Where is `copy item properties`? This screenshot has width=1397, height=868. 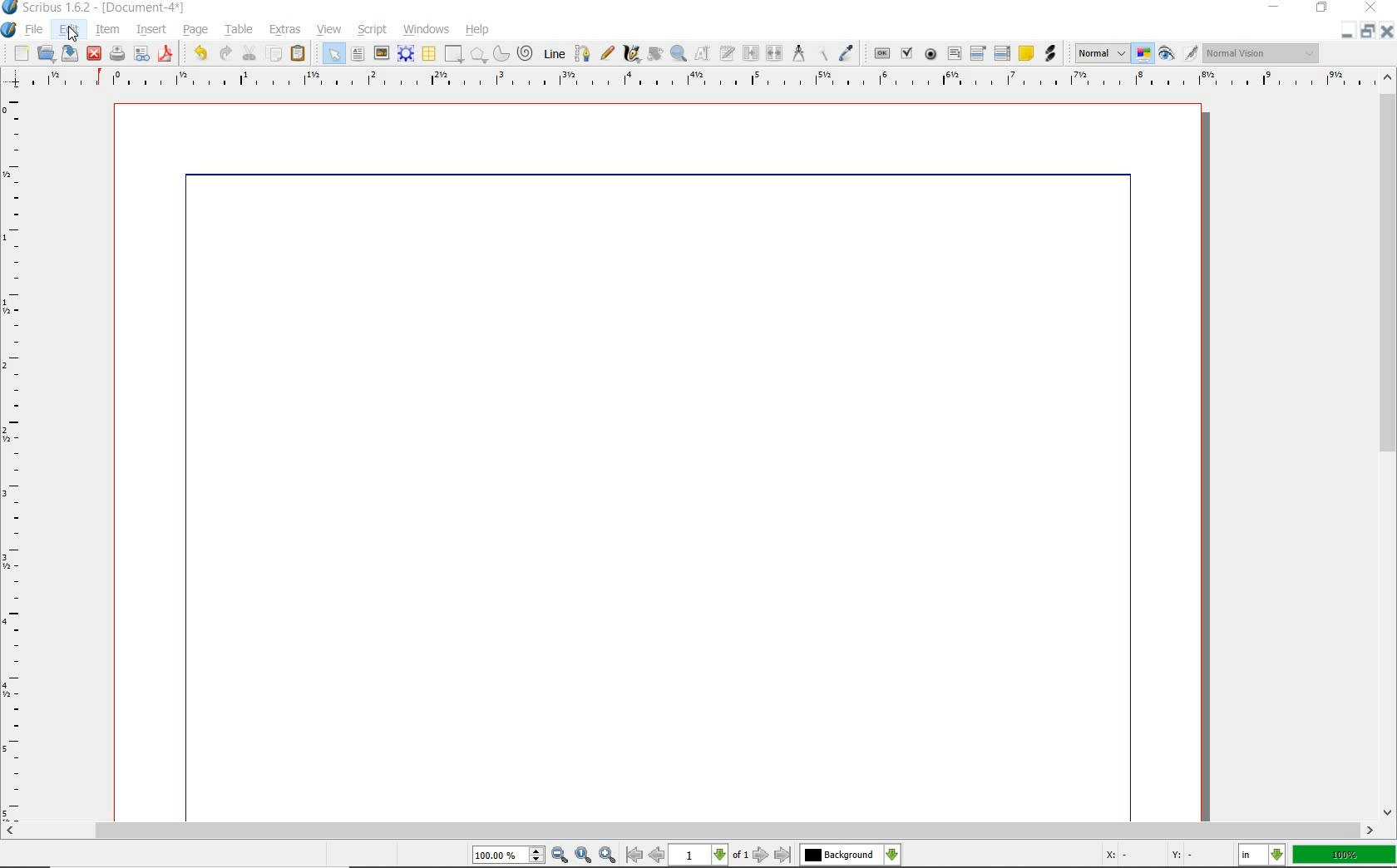
copy item properties is located at coordinates (824, 52).